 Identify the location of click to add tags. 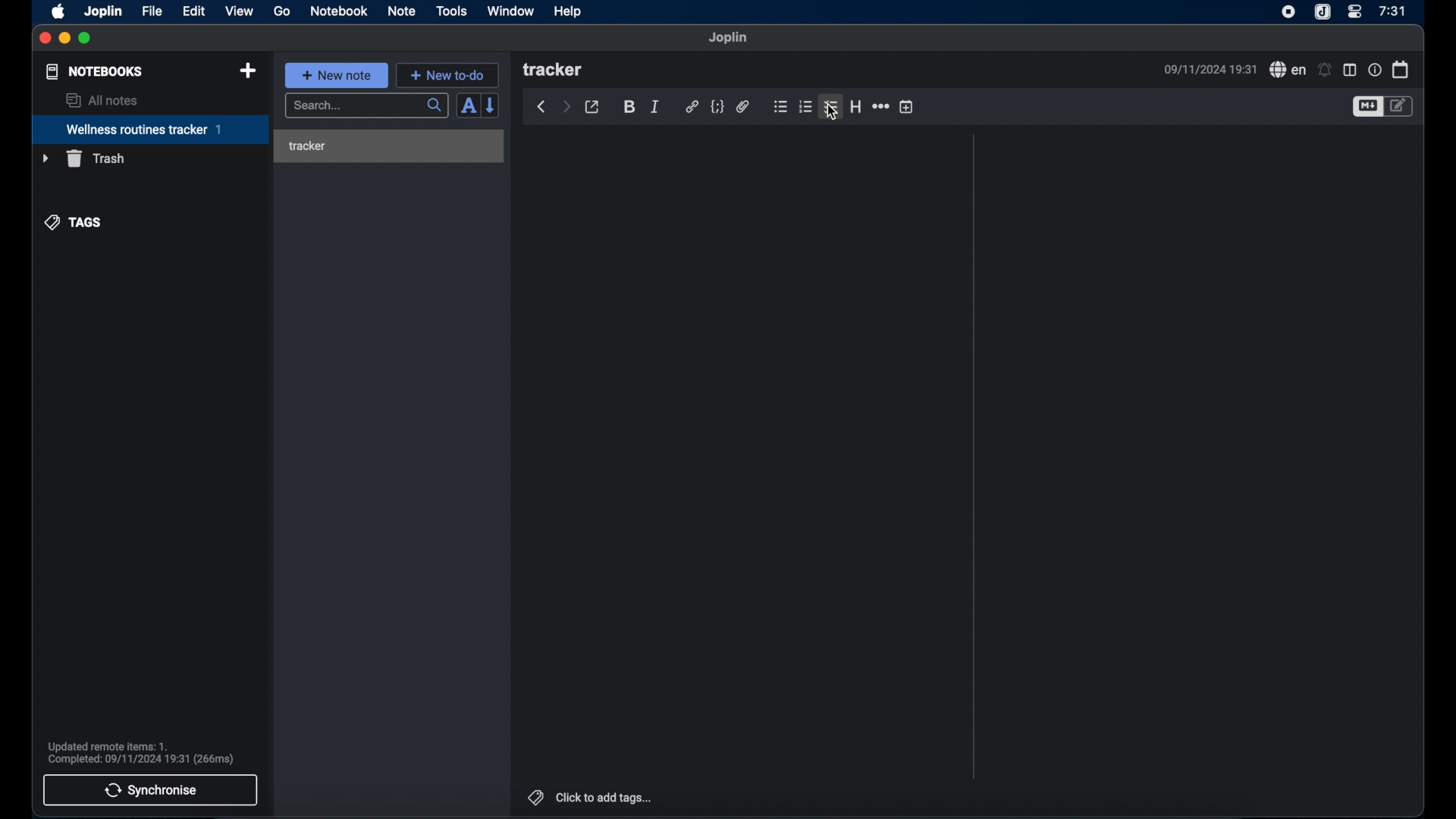
(605, 797).